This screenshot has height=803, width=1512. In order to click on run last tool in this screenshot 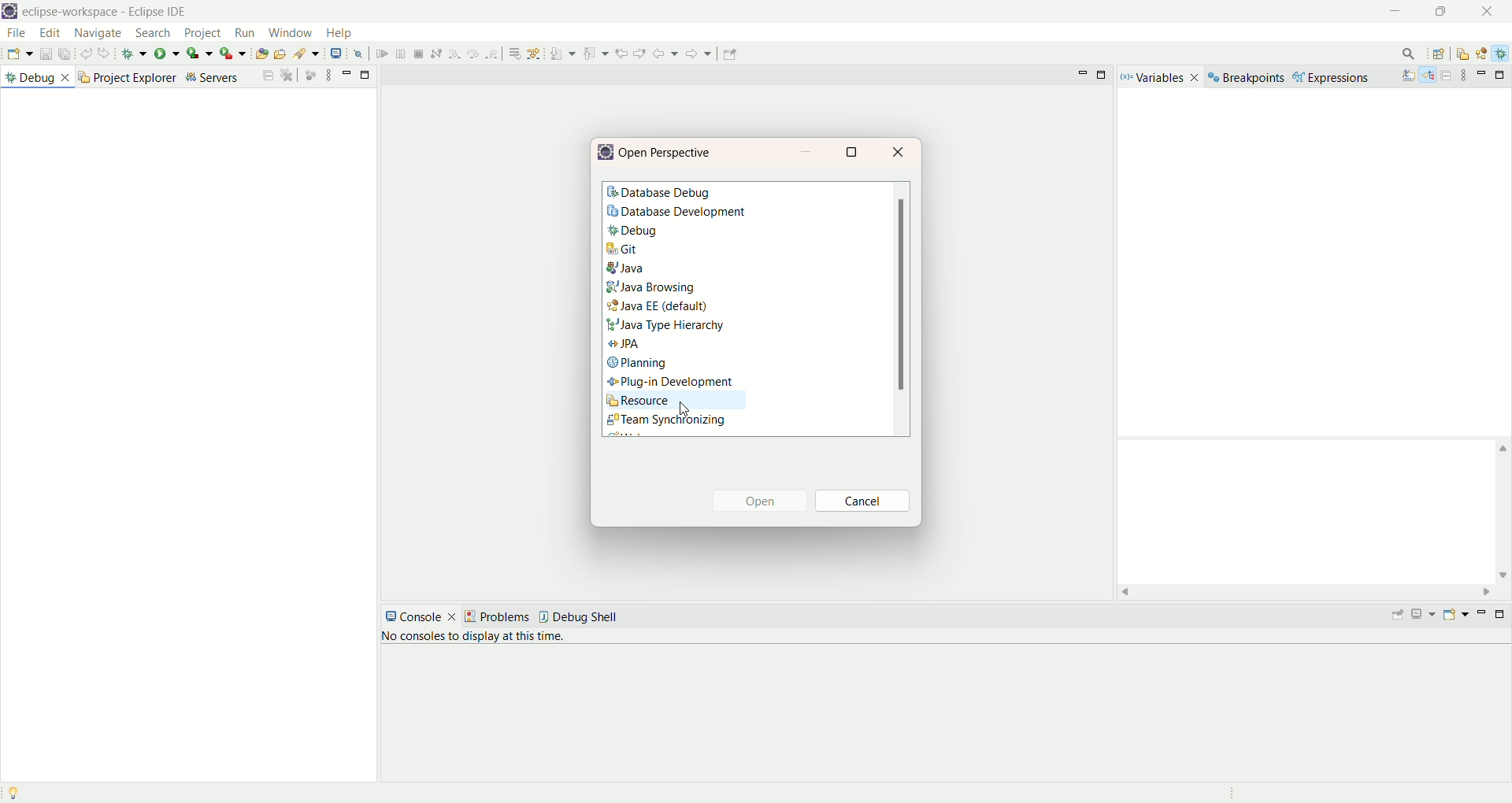, I will do `click(231, 54)`.